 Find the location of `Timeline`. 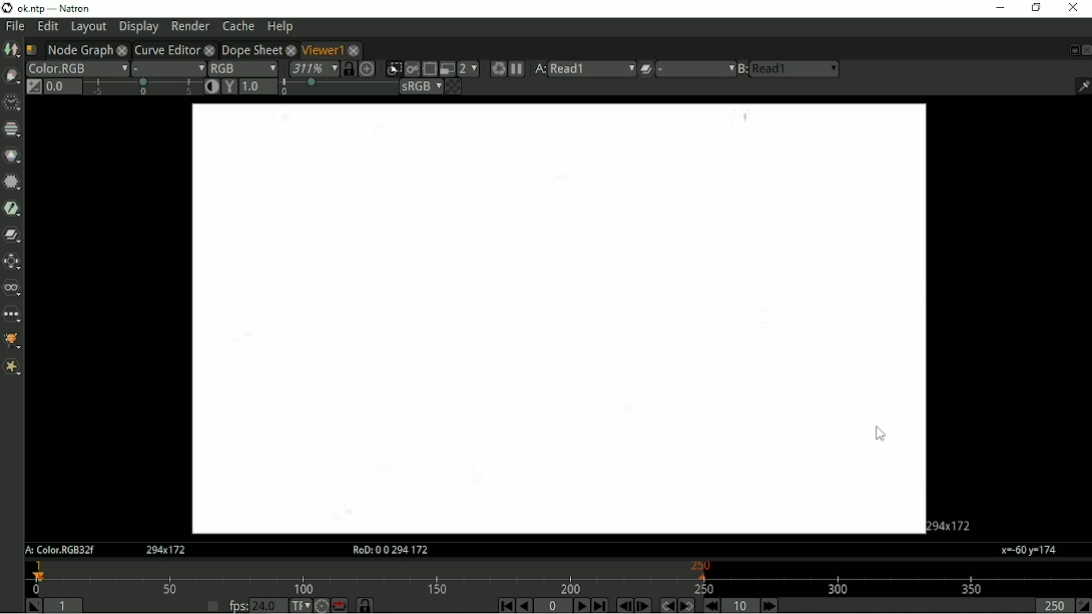

Timeline is located at coordinates (555, 578).